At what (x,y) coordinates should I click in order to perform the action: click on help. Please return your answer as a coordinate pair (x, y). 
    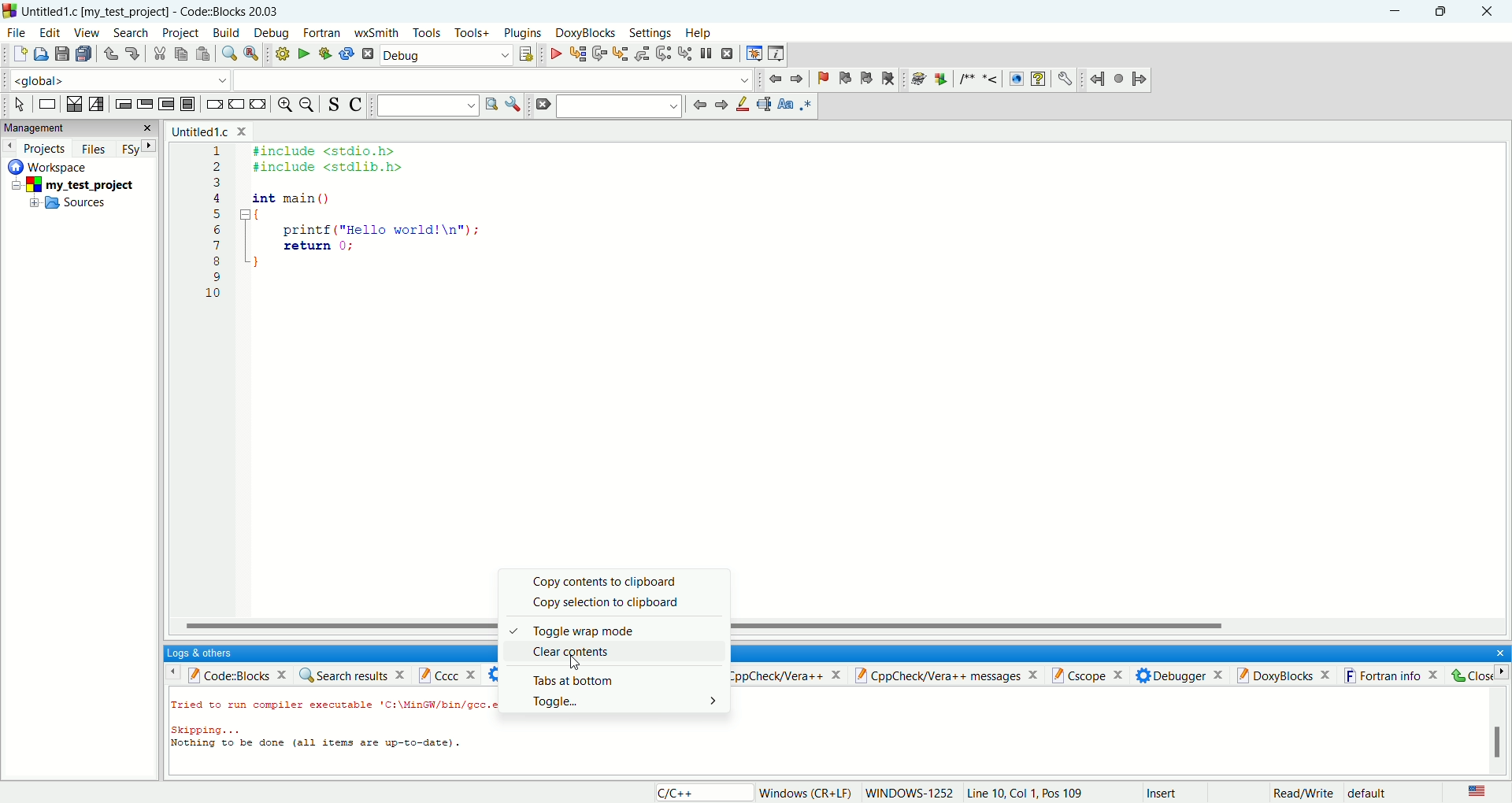
    Looking at the image, I should click on (697, 34).